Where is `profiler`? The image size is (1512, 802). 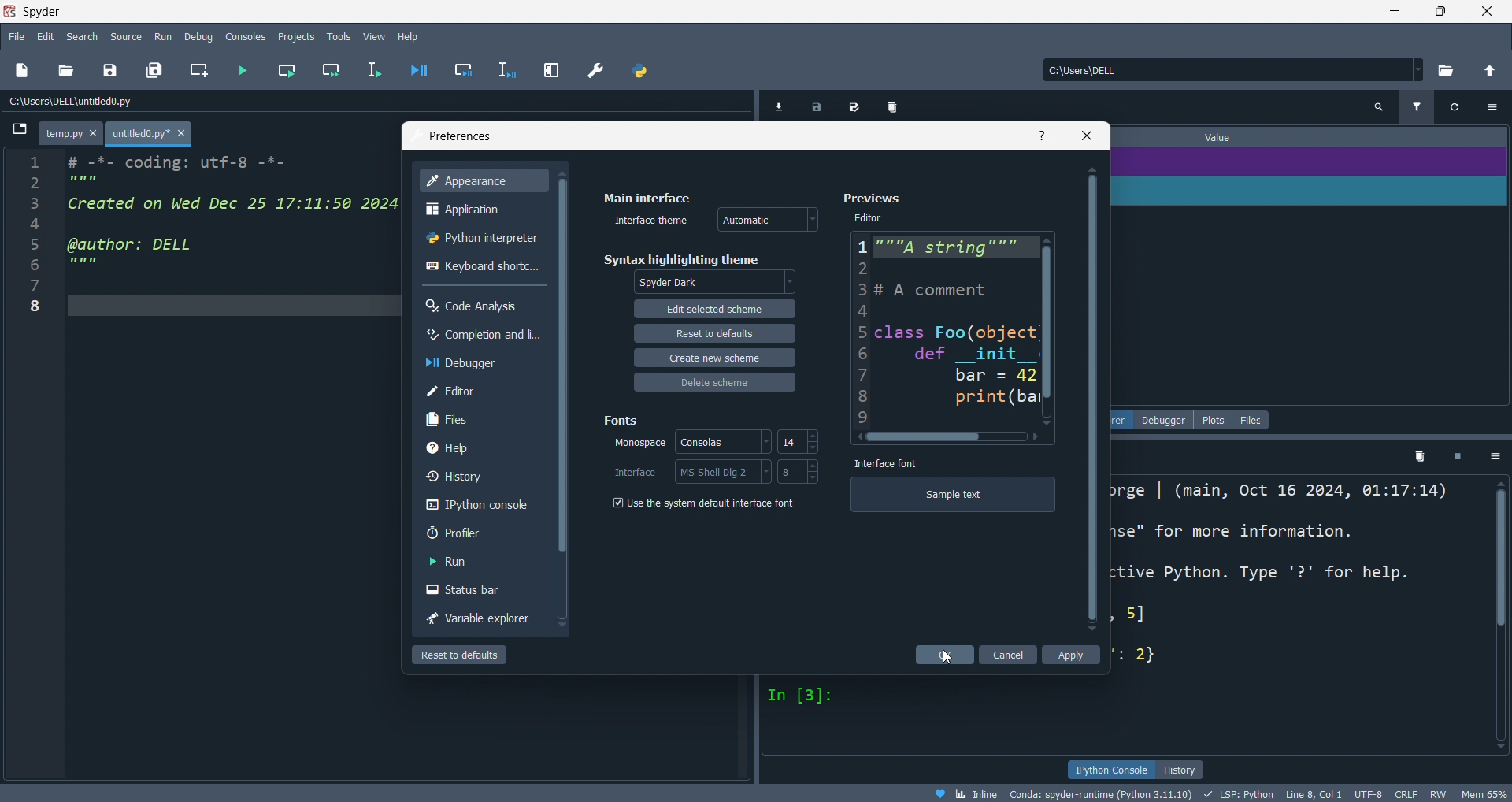
profiler is located at coordinates (482, 529).